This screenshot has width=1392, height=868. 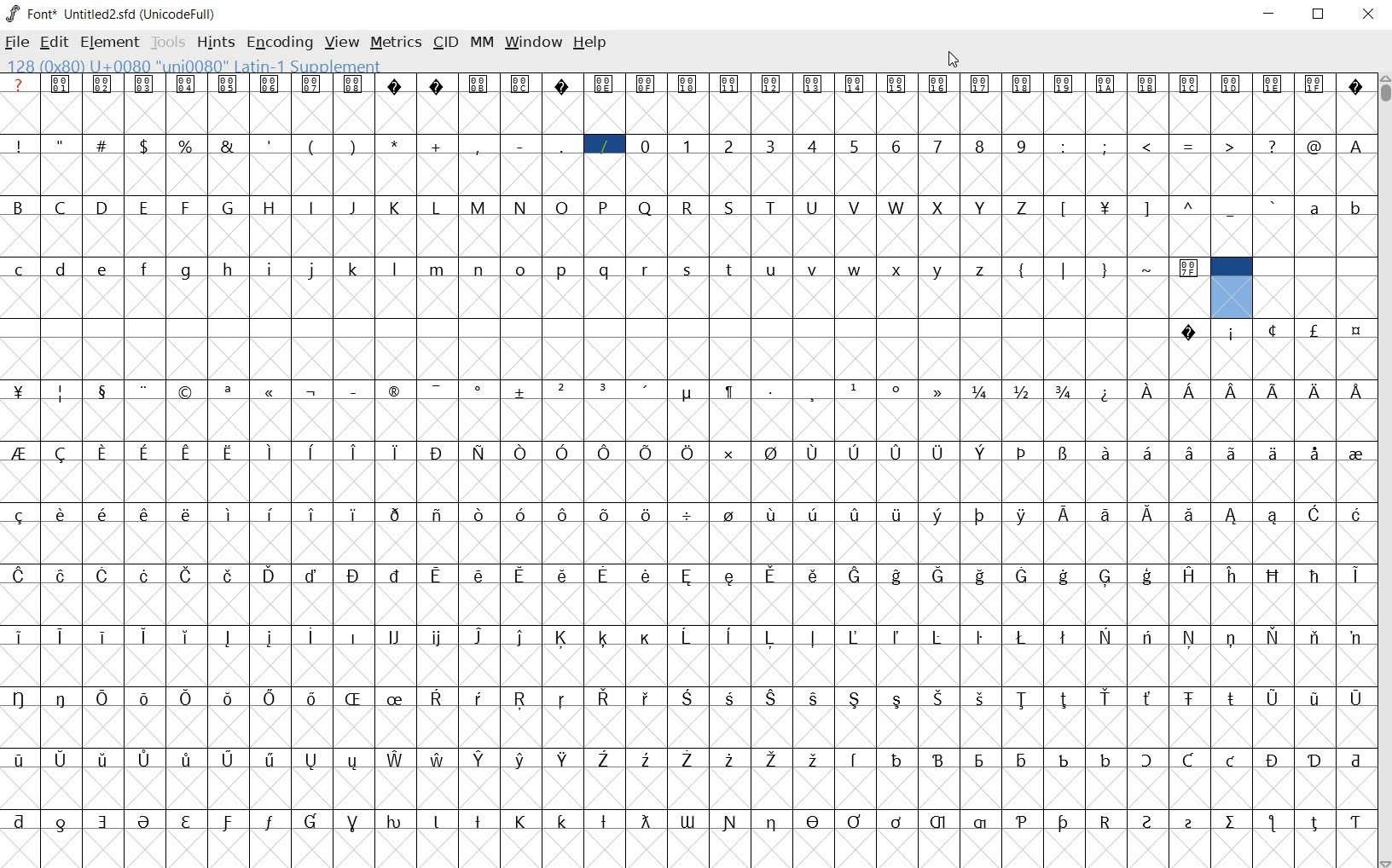 What do you see at coordinates (148, 698) in the screenshot?
I see `Symbol` at bounding box center [148, 698].